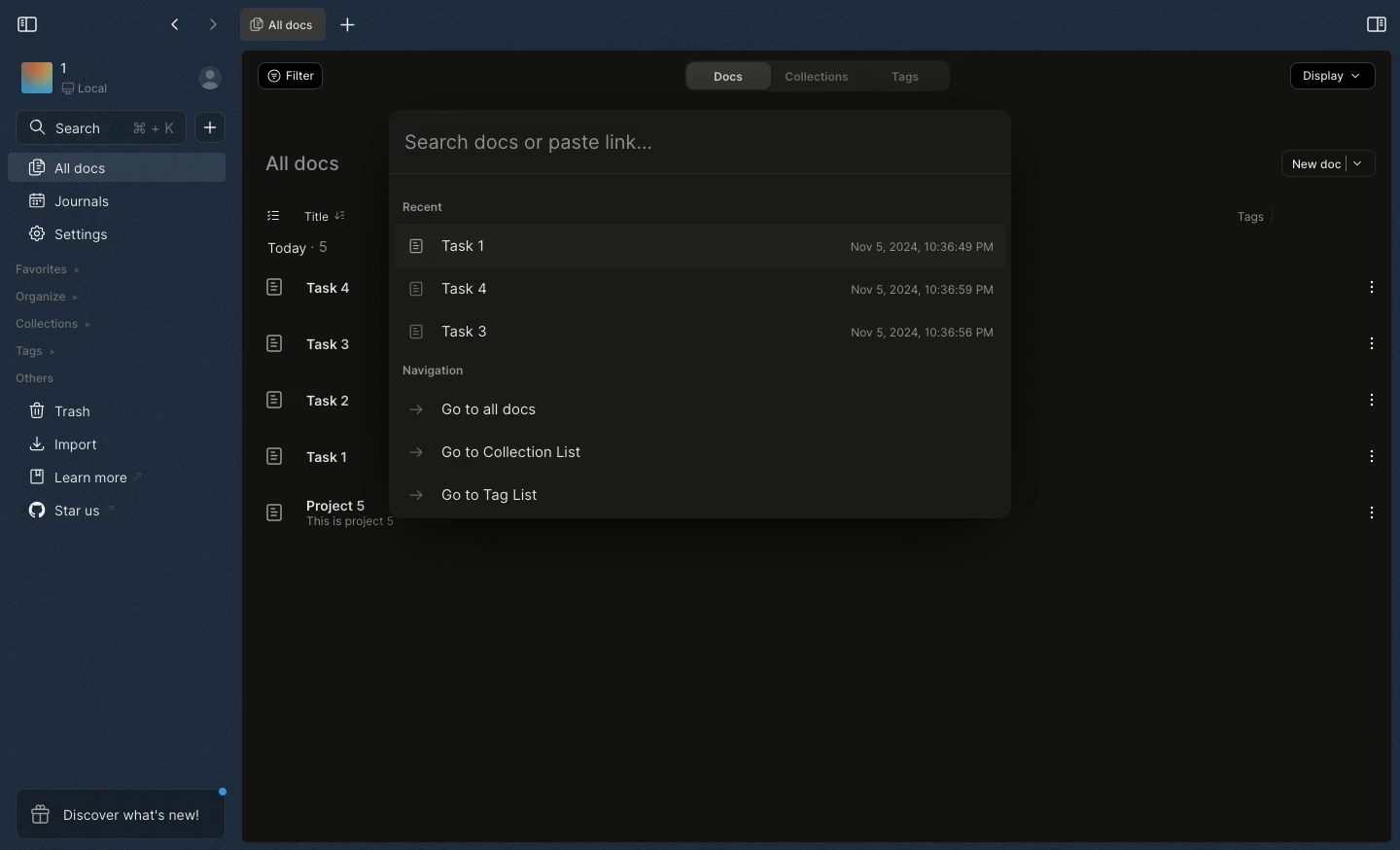 This screenshot has width=1400, height=850. What do you see at coordinates (120, 812) in the screenshot?
I see `Discover what's new` at bounding box center [120, 812].